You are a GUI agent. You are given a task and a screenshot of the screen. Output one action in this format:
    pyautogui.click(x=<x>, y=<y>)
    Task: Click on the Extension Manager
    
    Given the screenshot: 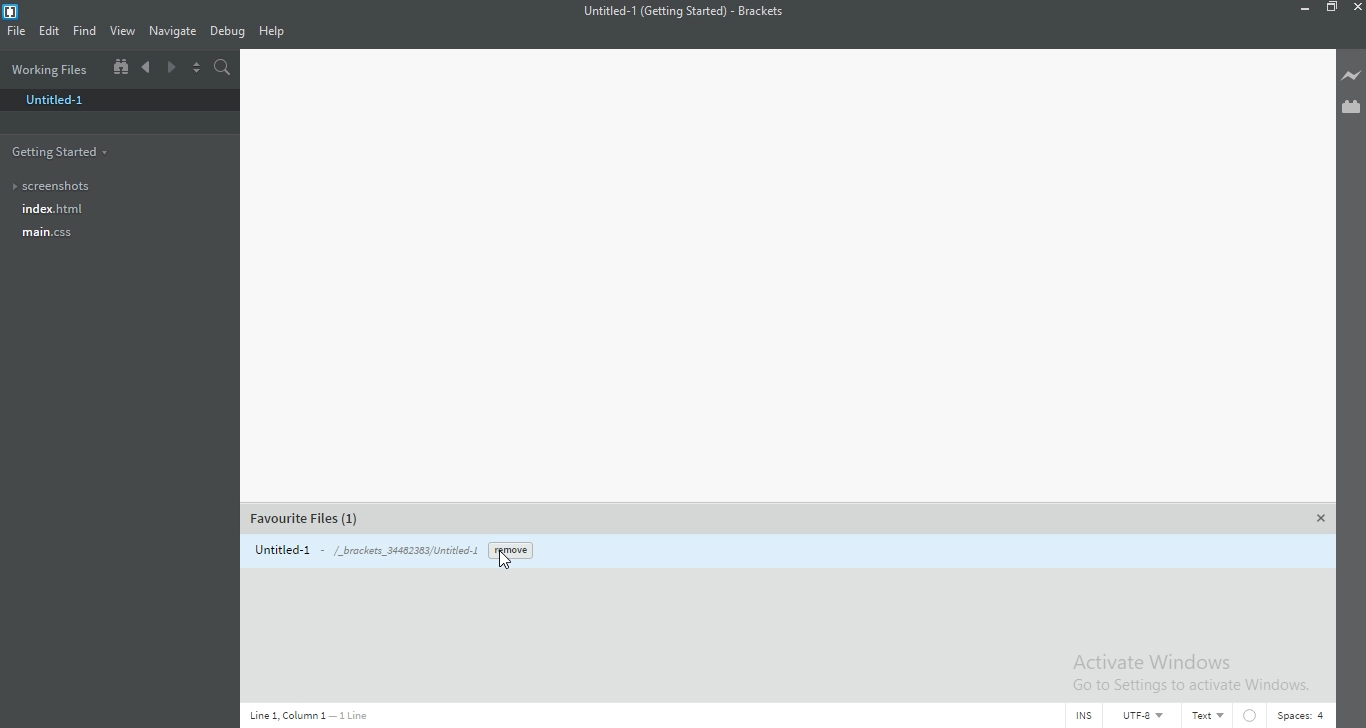 What is the action you would take?
    pyautogui.click(x=1349, y=108)
    